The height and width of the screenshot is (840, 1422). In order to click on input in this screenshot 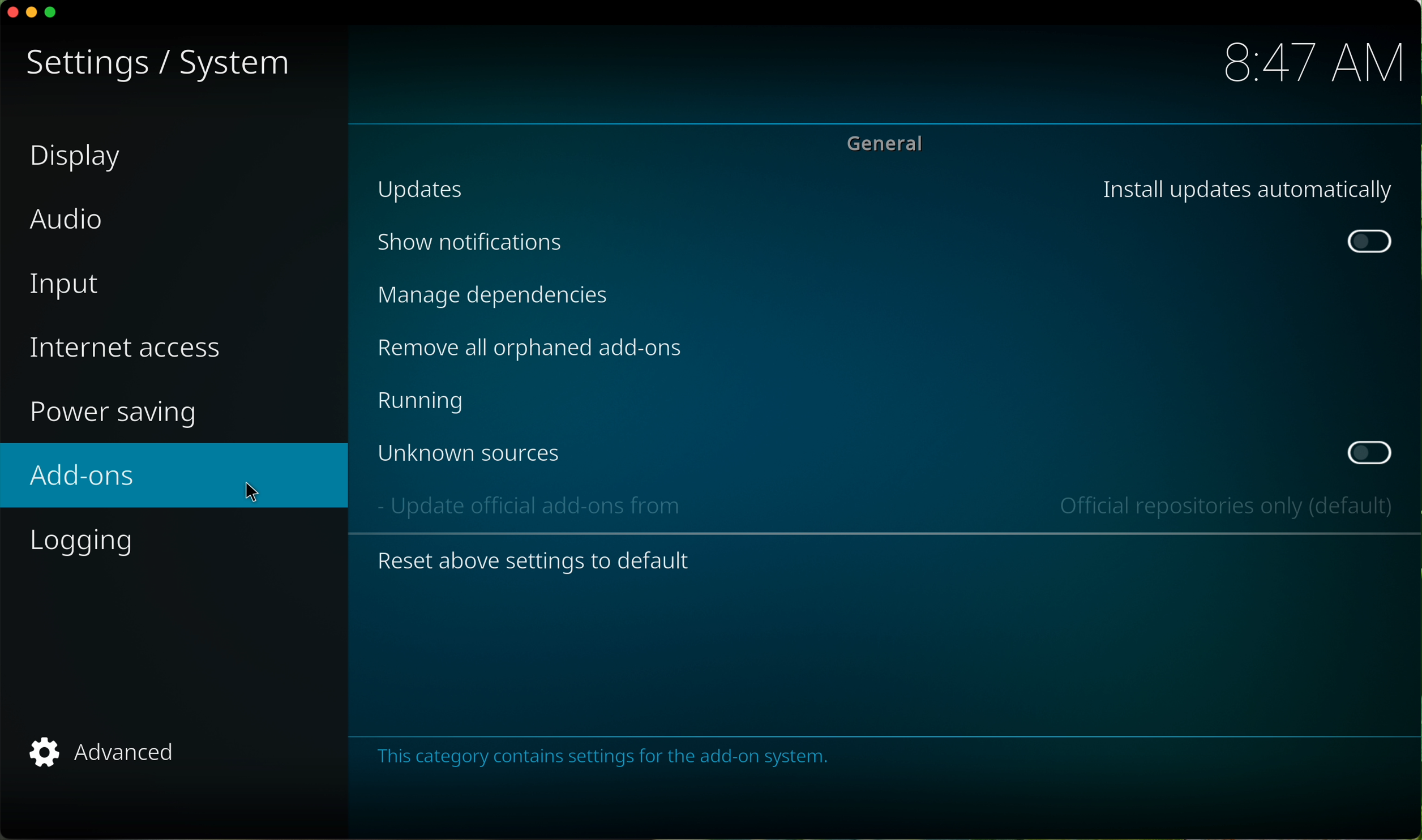, I will do `click(67, 287)`.